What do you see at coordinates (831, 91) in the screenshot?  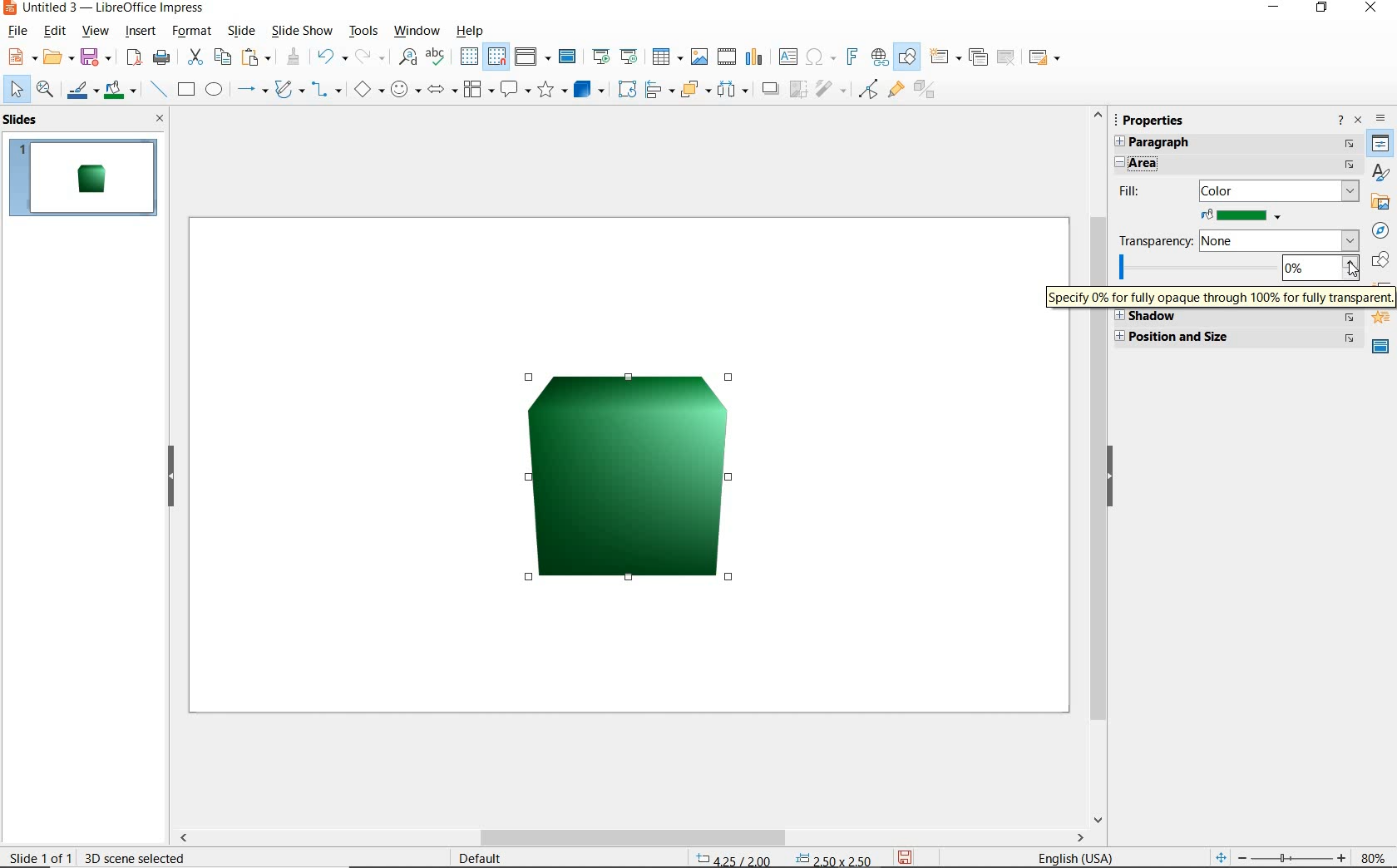 I see `FILTER` at bounding box center [831, 91].